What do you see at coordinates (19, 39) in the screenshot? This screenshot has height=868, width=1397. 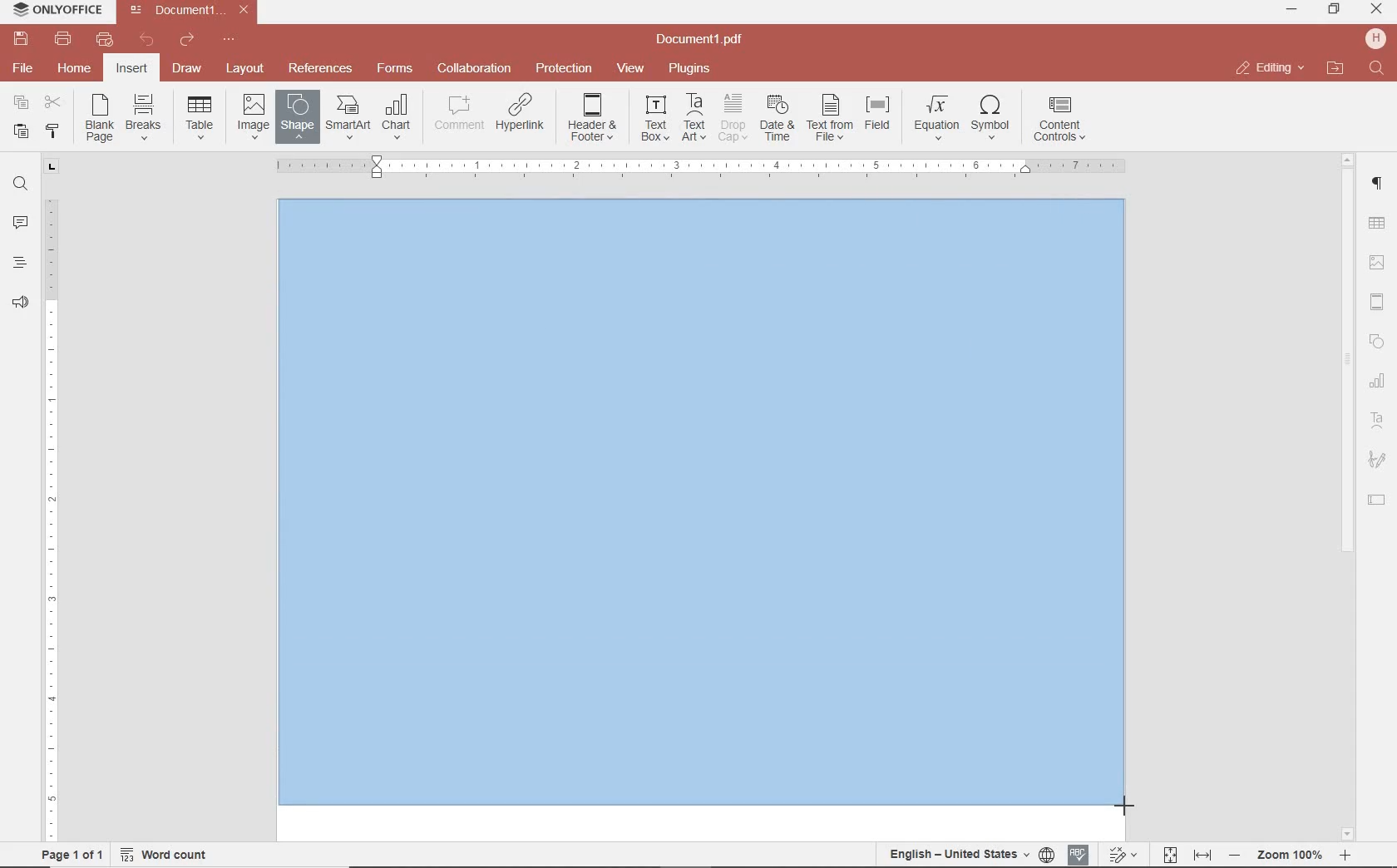 I see `save` at bounding box center [19, 39].